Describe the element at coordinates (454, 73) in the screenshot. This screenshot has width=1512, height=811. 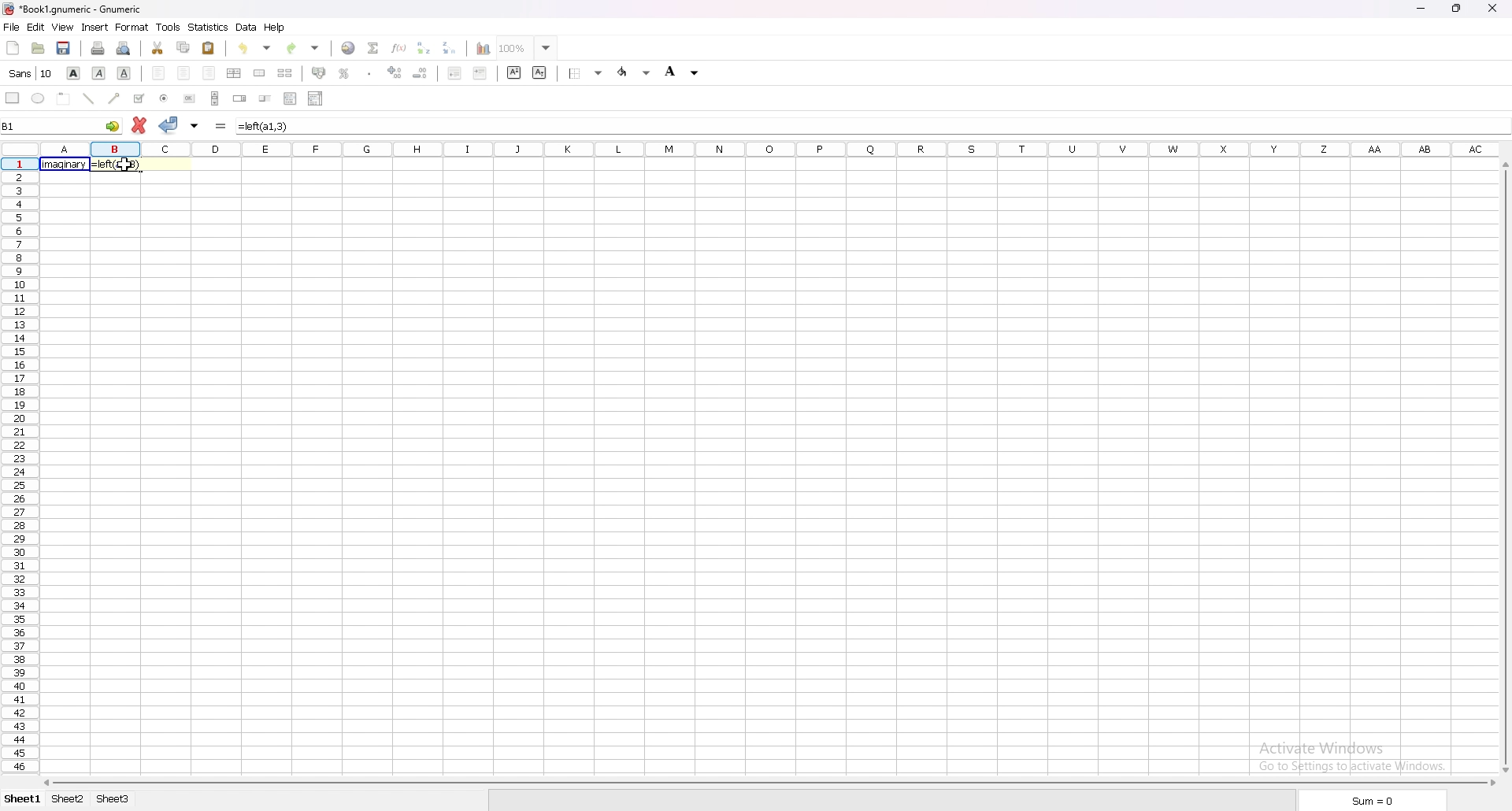
I see `decrease indent` at that location.